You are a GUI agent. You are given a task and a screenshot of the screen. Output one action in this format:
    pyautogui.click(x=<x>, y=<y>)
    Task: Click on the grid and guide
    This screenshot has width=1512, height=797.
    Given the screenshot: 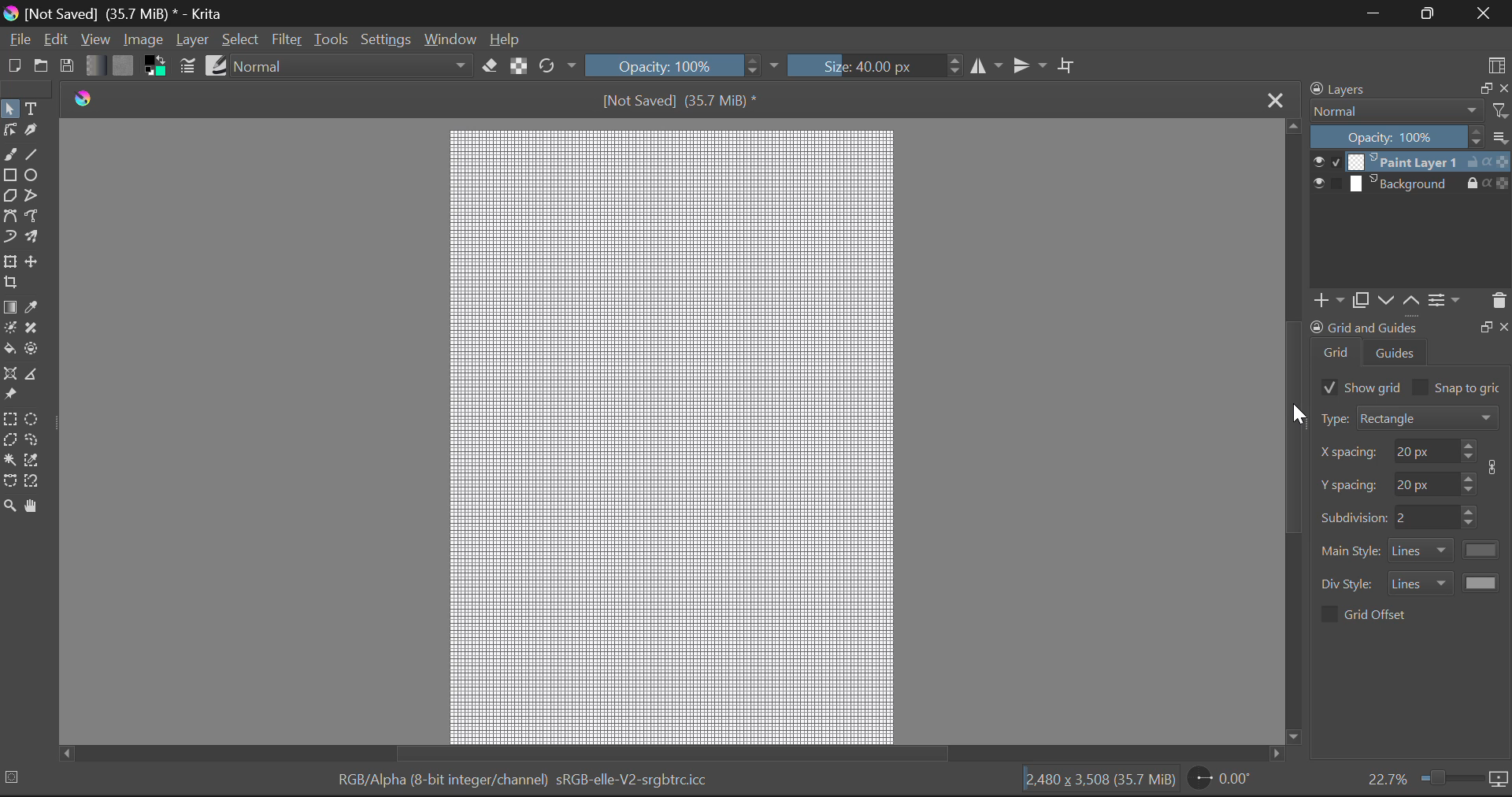 What is the action you would take?
    pyautogui.click(x=1363, y=327)
    